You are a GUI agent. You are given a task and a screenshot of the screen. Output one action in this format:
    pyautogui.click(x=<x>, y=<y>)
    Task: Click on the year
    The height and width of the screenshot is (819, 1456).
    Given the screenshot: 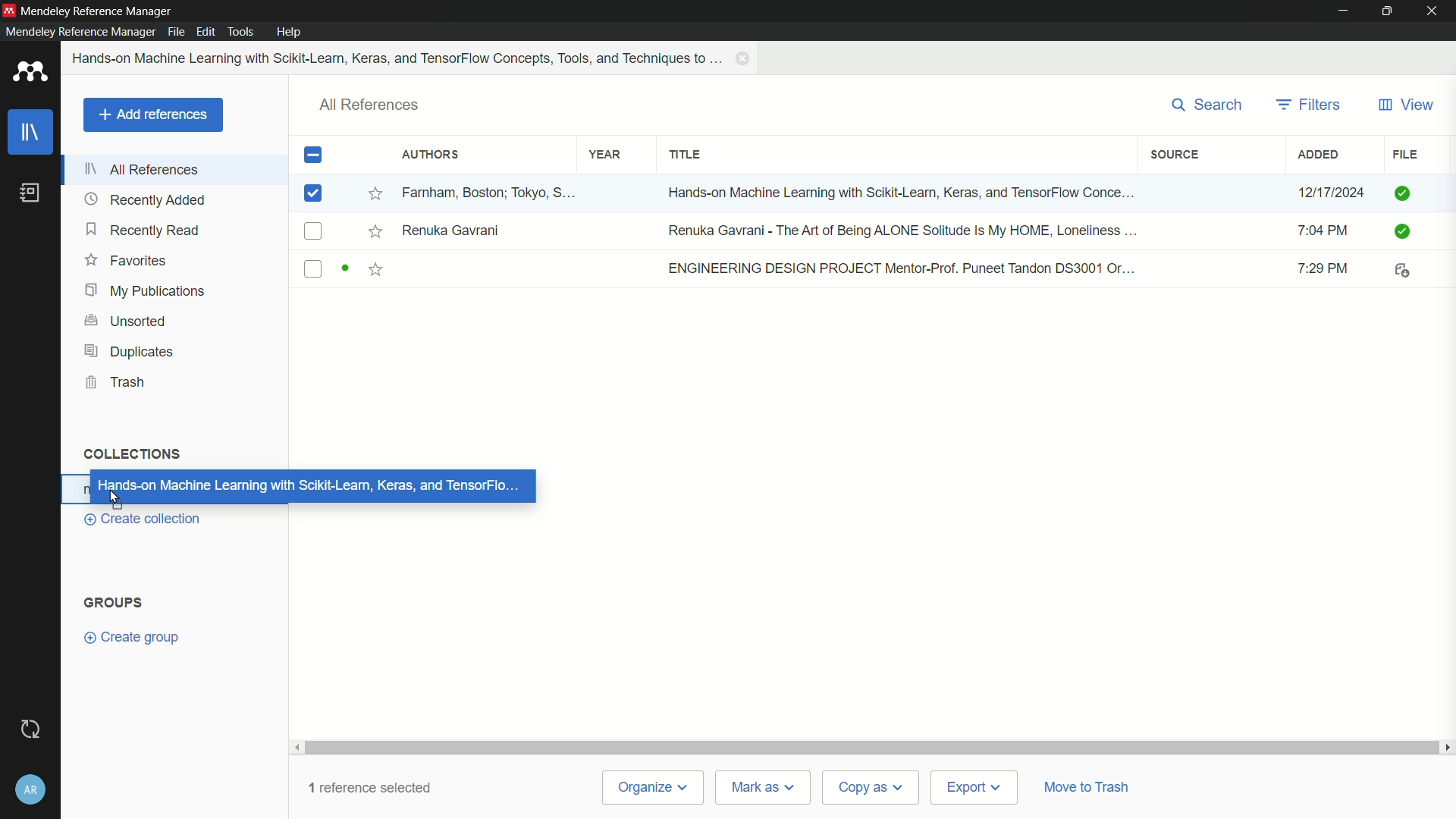 What is the action you would take?
    pyautogui.click(x=606, y=155)
    